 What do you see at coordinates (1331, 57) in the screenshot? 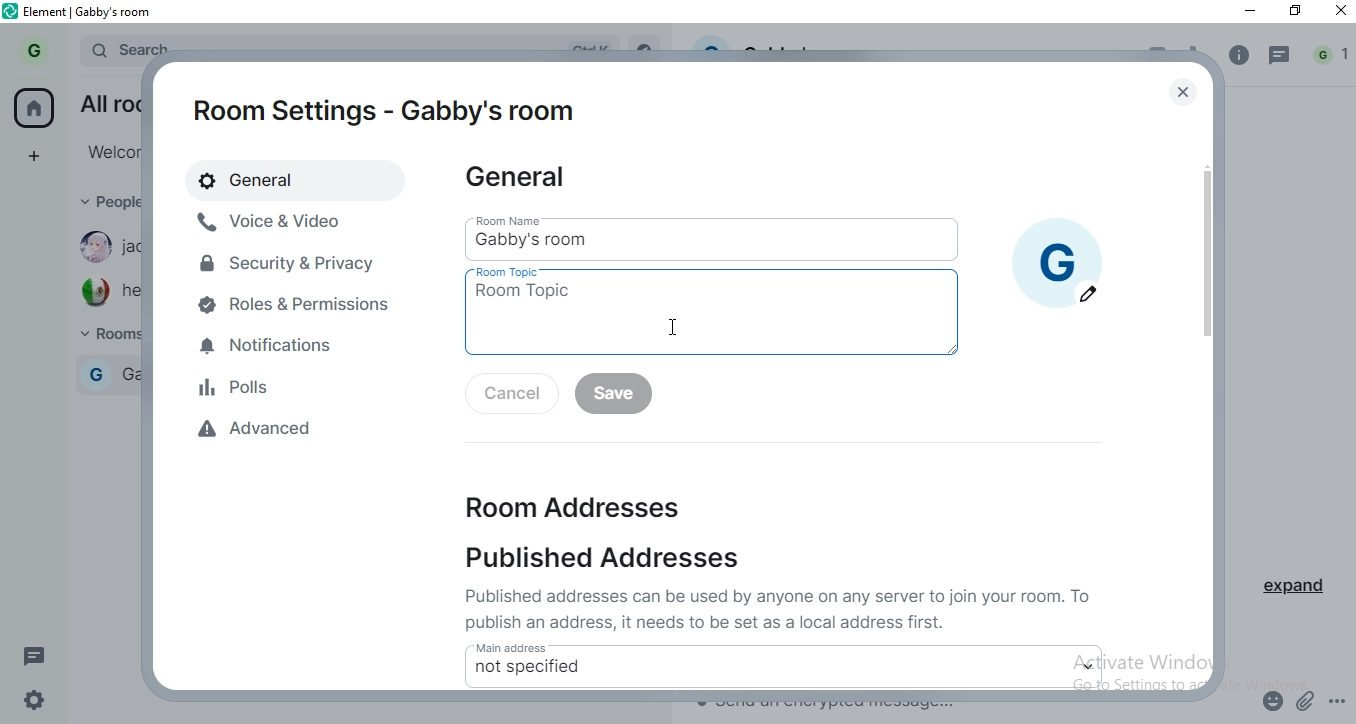
I see `notification` at bounding box center [1331, 57].